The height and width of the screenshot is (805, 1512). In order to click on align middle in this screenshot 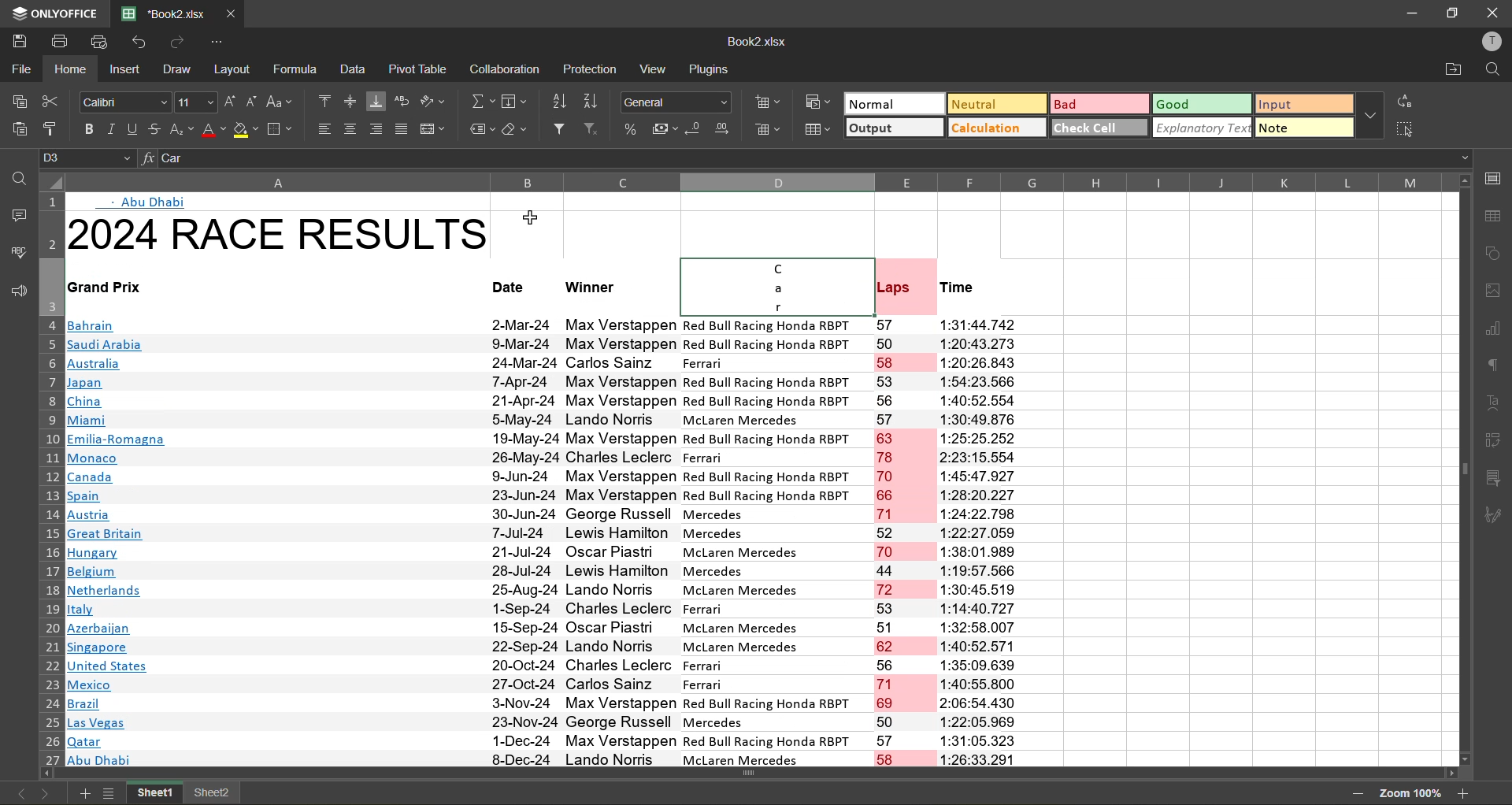, I will do `click(353, 102)`.